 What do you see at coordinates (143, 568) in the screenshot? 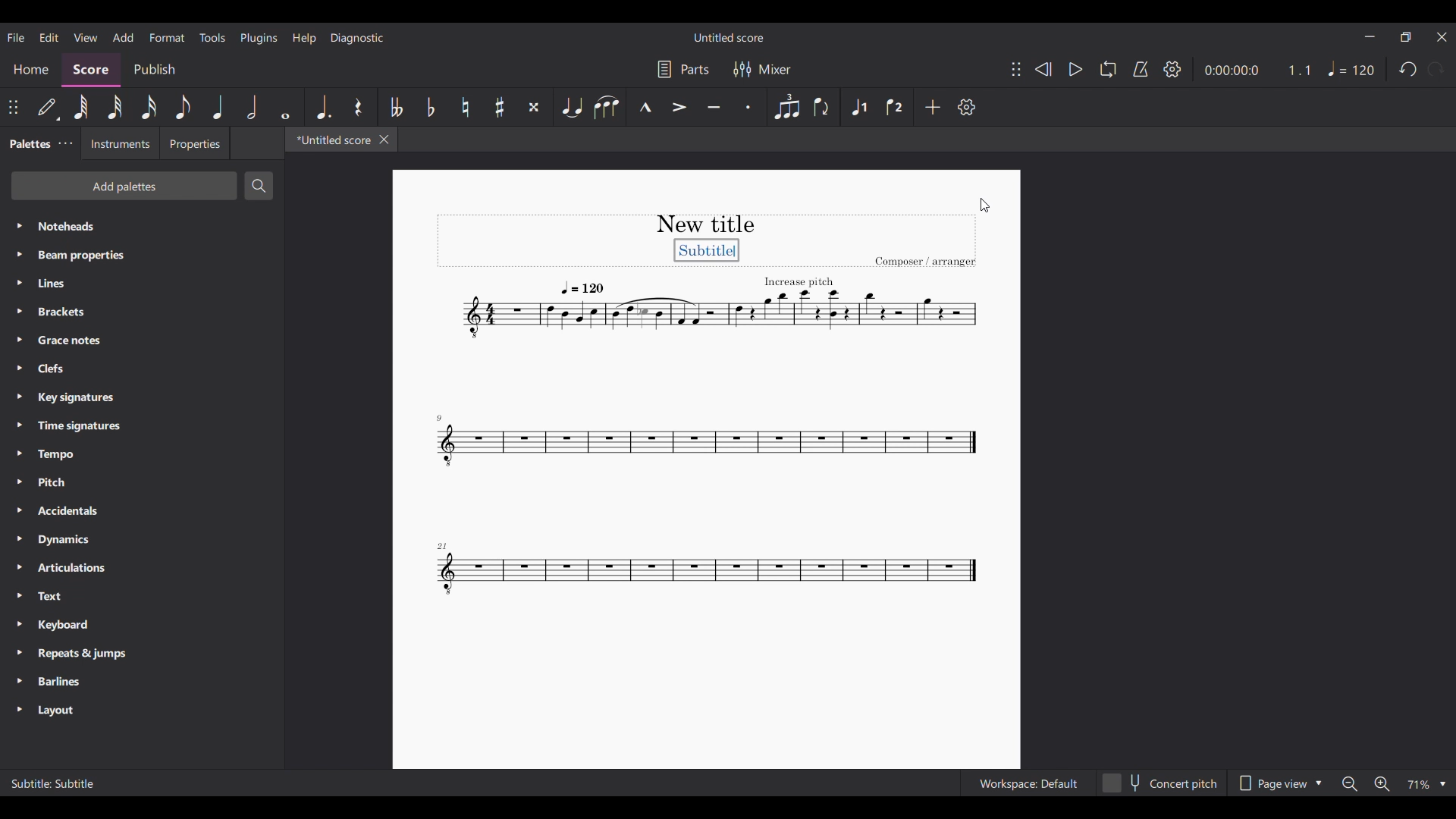
I see `Articulations` at bounding box center [143, 568].